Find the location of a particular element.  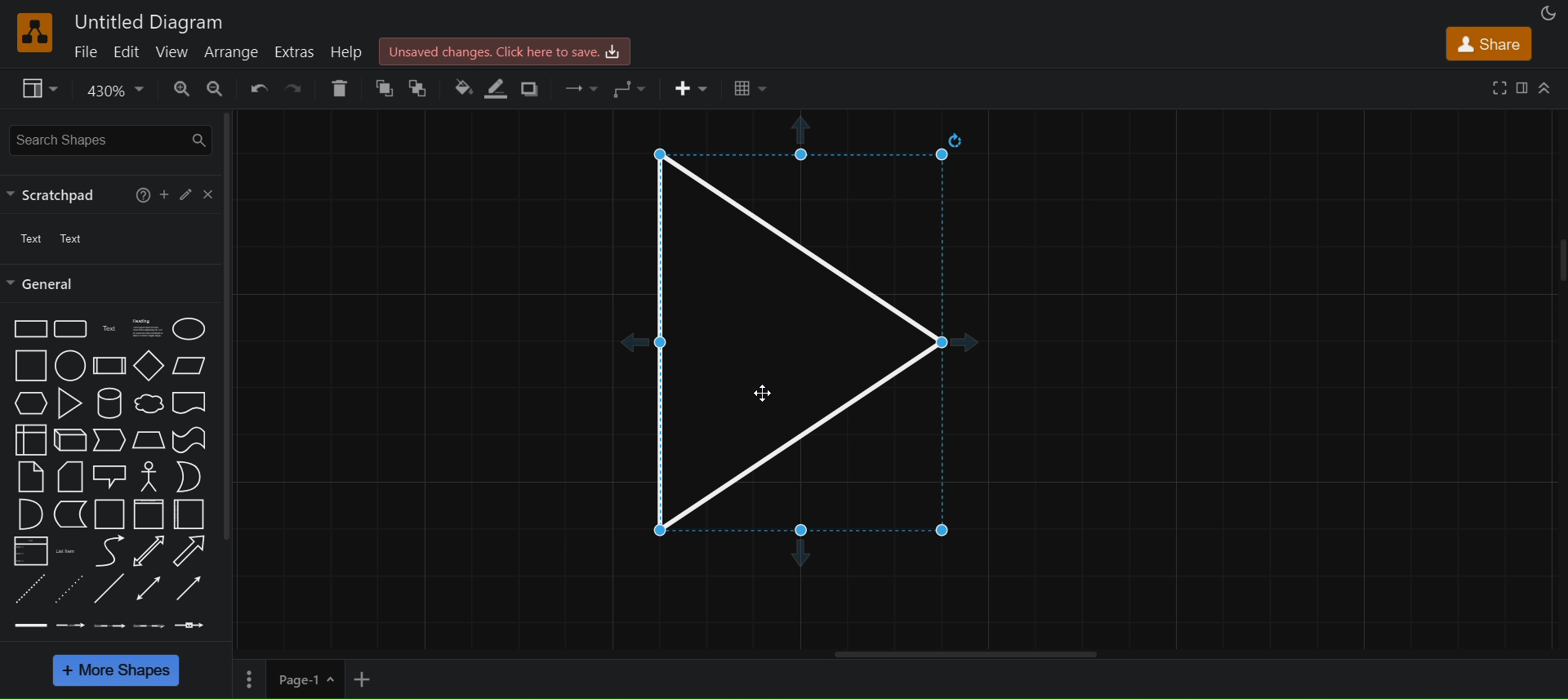

appearance is located at coordinates (1546, 12).